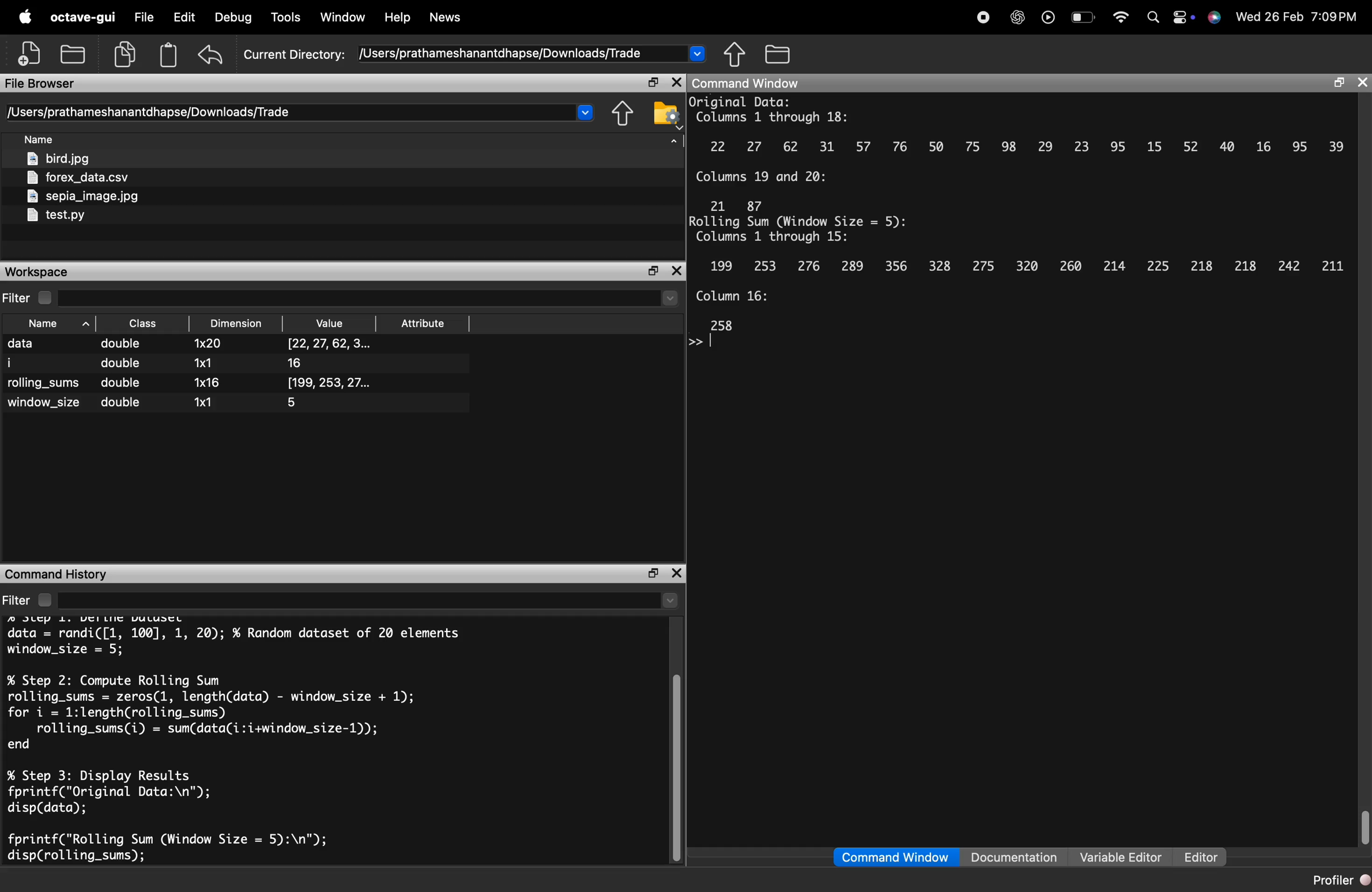  What do you see at coordinates (1154, 18) in the screenshot?
I see `search` at bounding box center [1154, 18].